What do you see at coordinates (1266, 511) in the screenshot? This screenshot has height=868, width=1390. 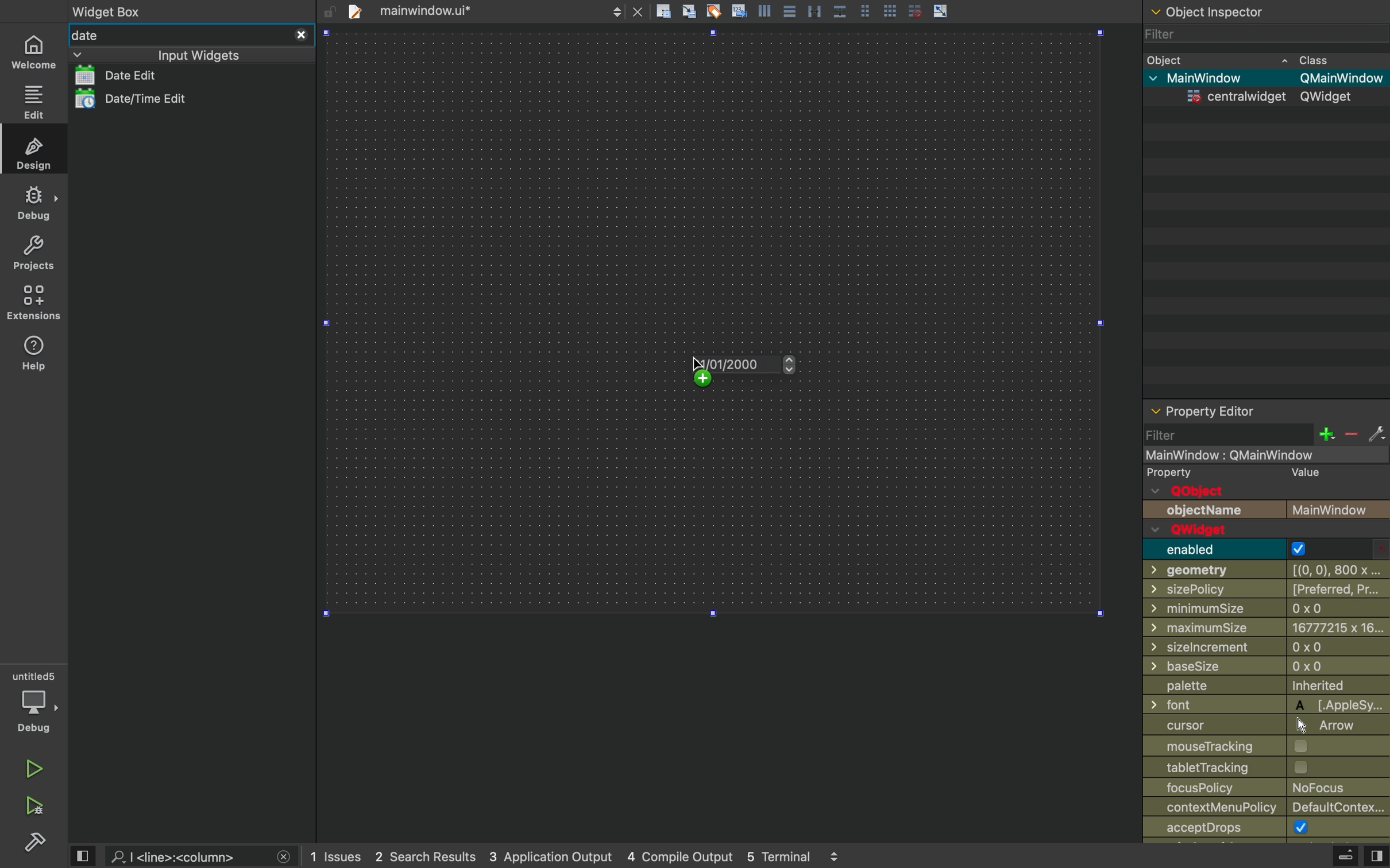 I see `object name` at bounding box center [1266, 511].